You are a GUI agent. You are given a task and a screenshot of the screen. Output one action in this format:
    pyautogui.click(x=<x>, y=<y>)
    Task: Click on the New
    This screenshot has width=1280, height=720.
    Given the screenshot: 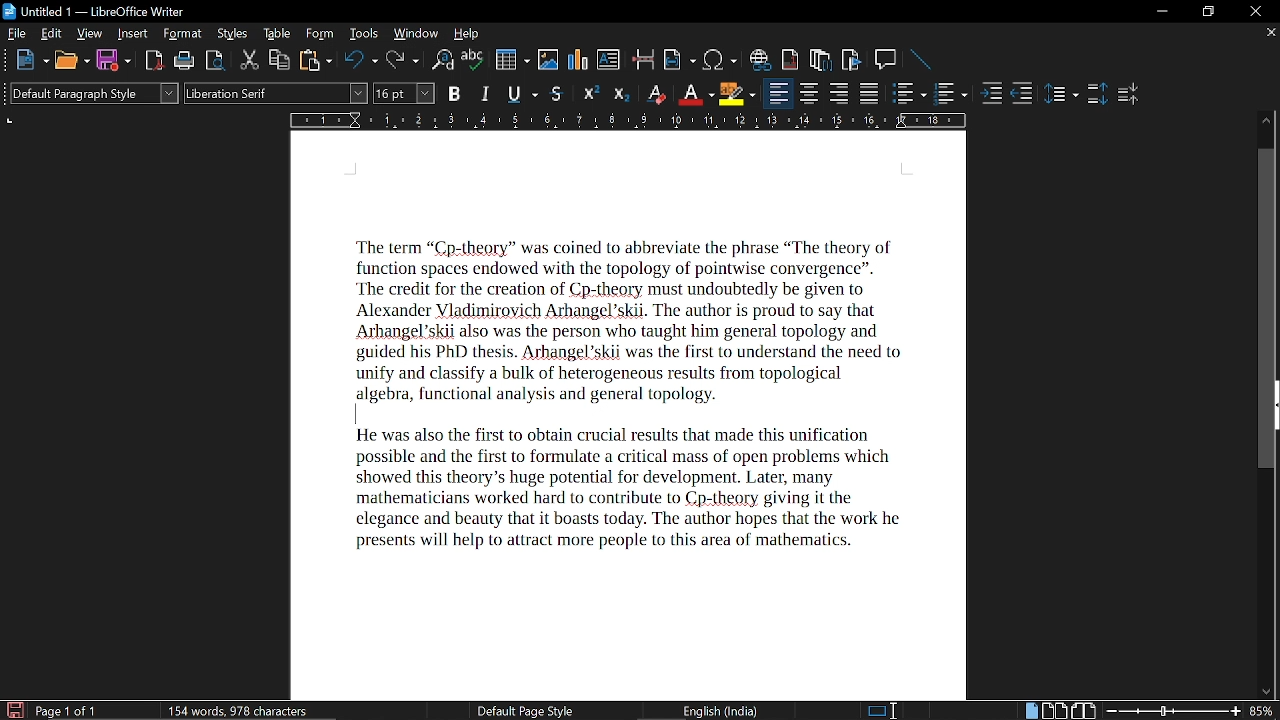 What is the action you would take?
    pyautogui.click(x=31, y=62)
    